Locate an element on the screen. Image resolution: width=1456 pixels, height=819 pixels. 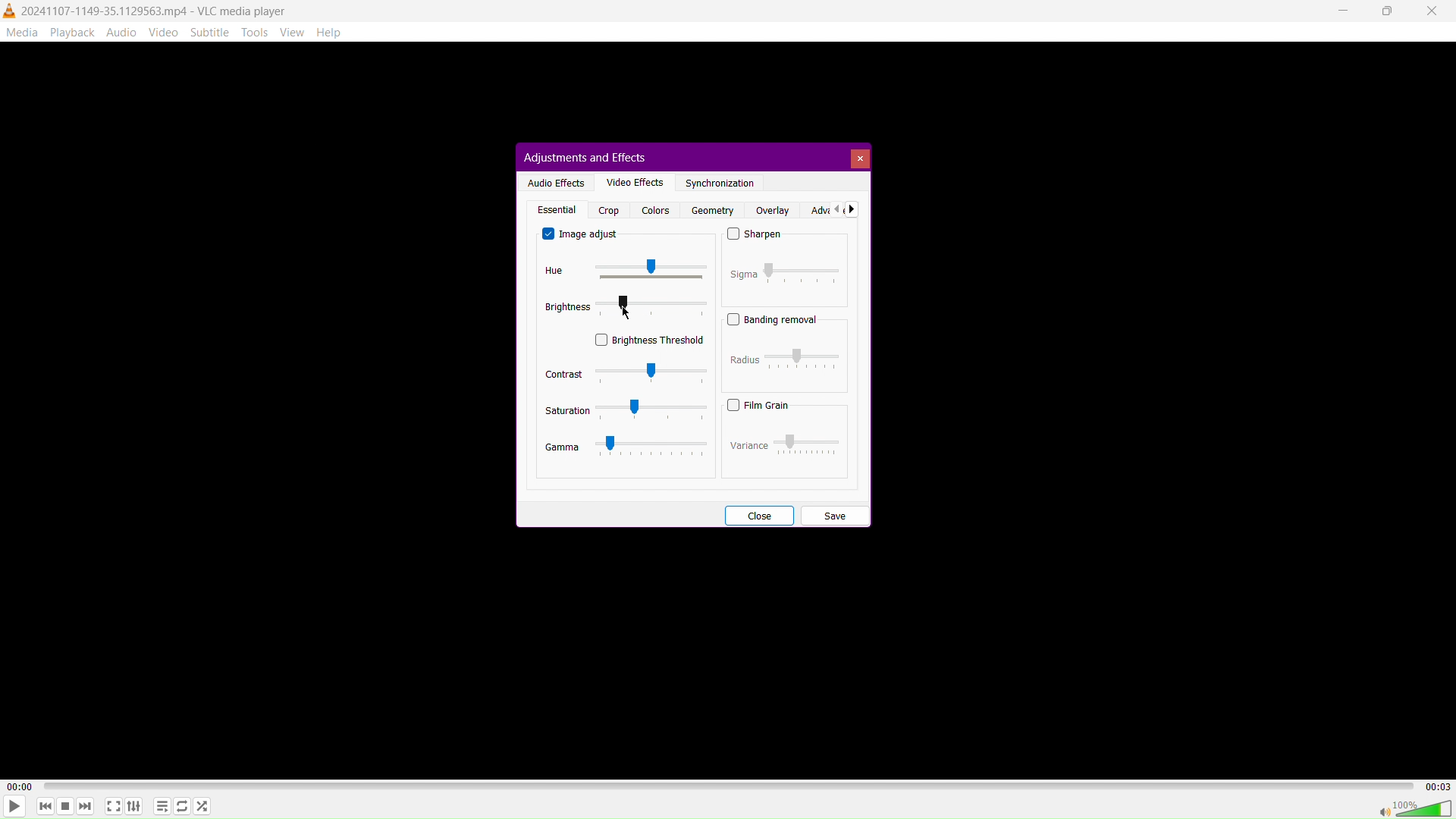
Close is located at coordinates (859, 158).